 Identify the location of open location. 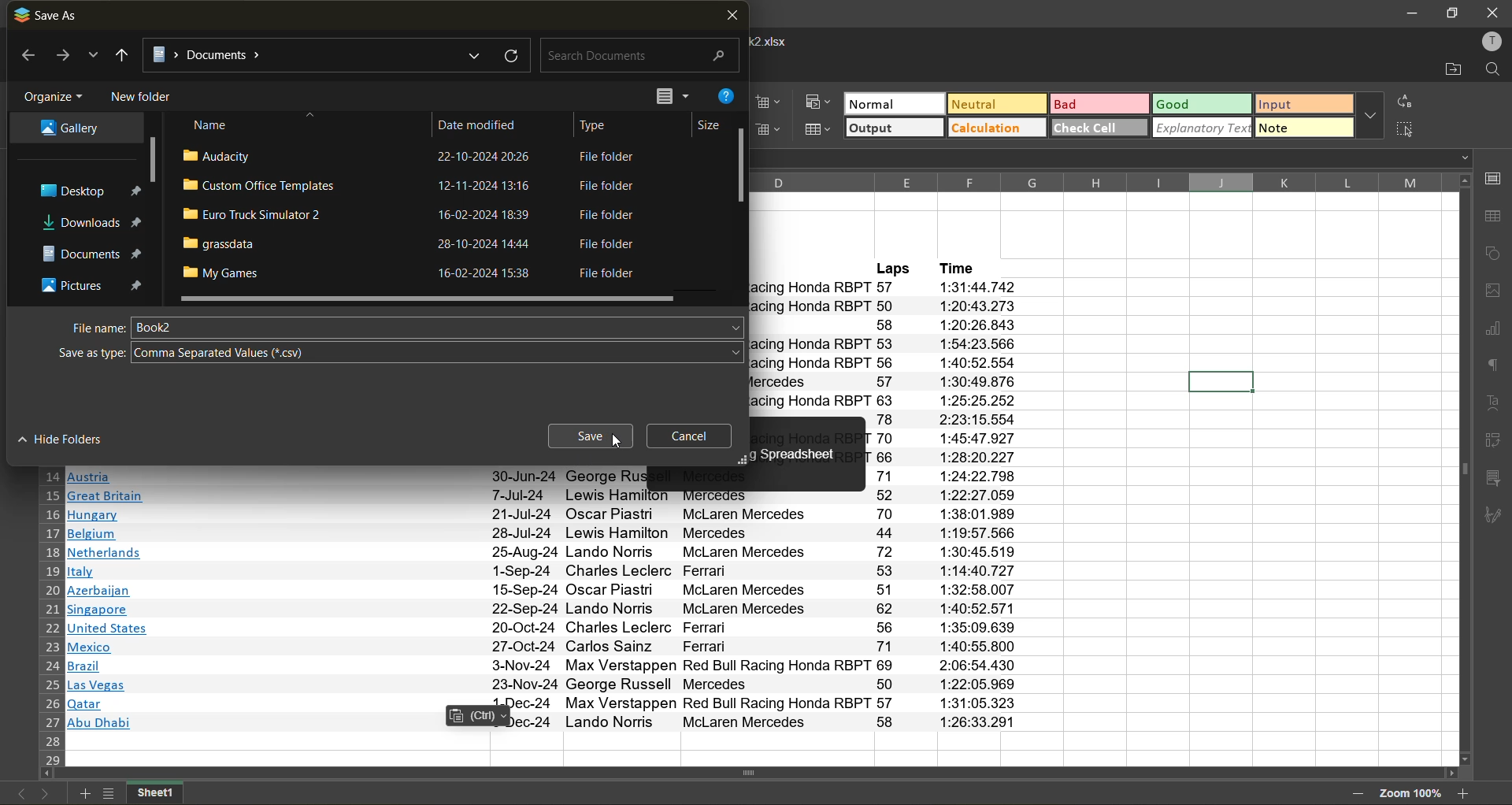
(1446, 68).